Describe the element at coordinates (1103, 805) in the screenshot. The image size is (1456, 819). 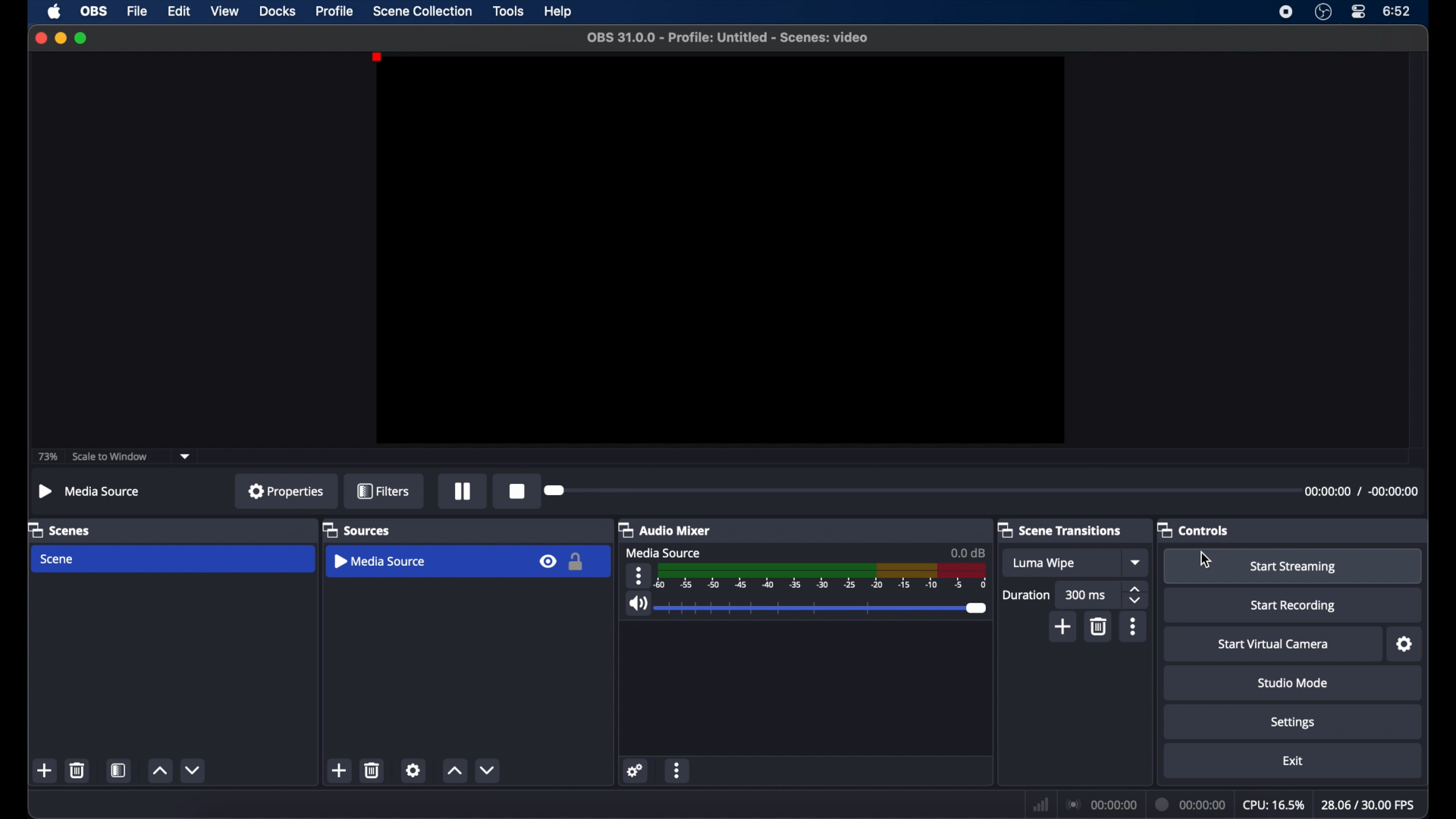
I see `connection` at that location.